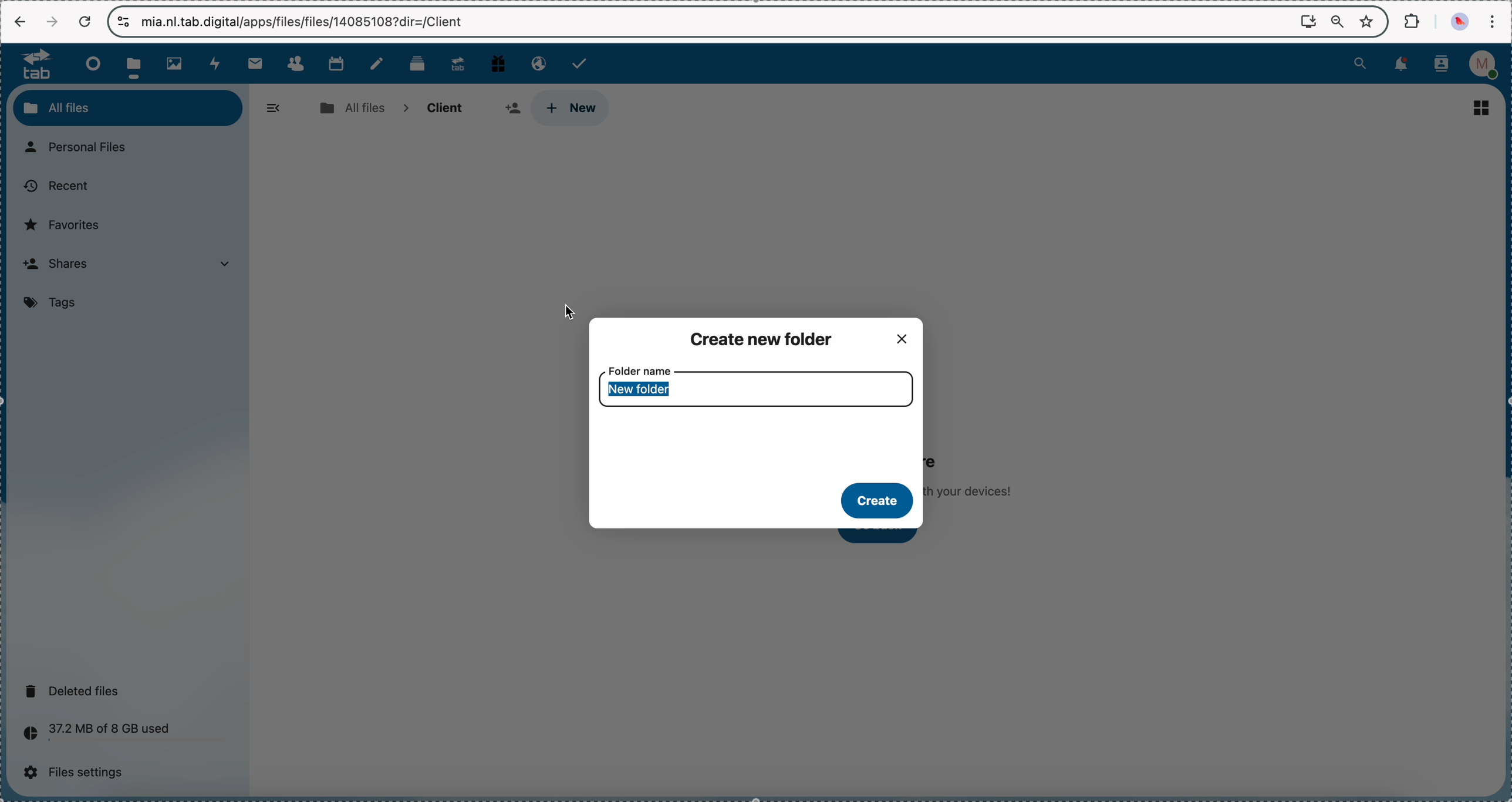 The height and width of the screenshot is (802, 1512). I want to click on click on files, so click(137, 63).